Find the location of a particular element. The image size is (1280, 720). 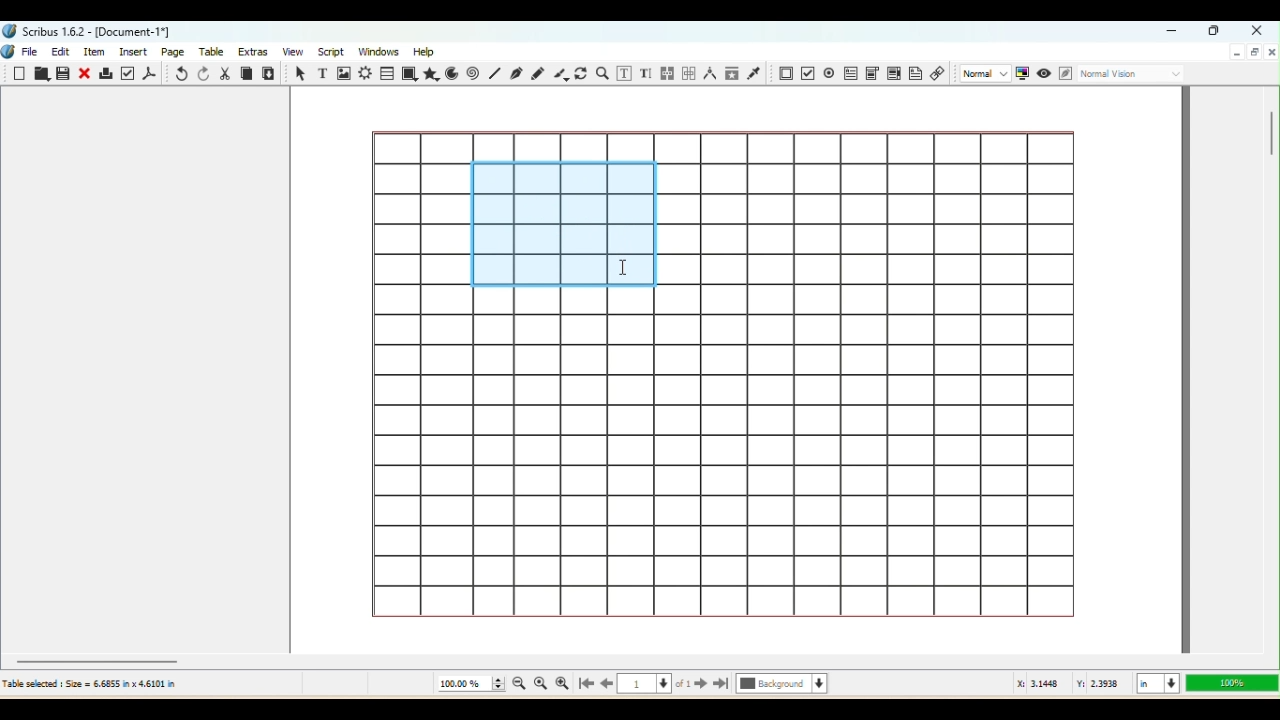

Edit is located at coordinates (60, 52).